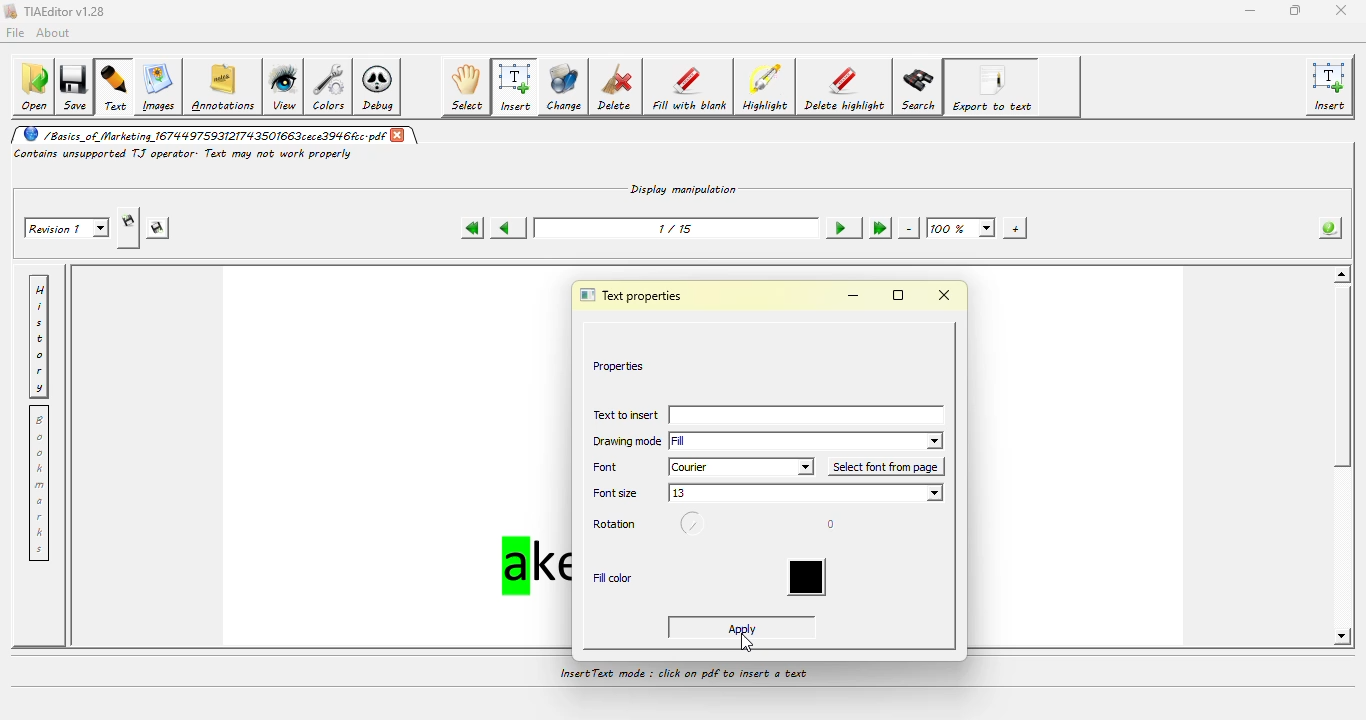 Image resolution: width=1366 pixels, height=720 pixels. I want to click on 100%, so click(961, 227).